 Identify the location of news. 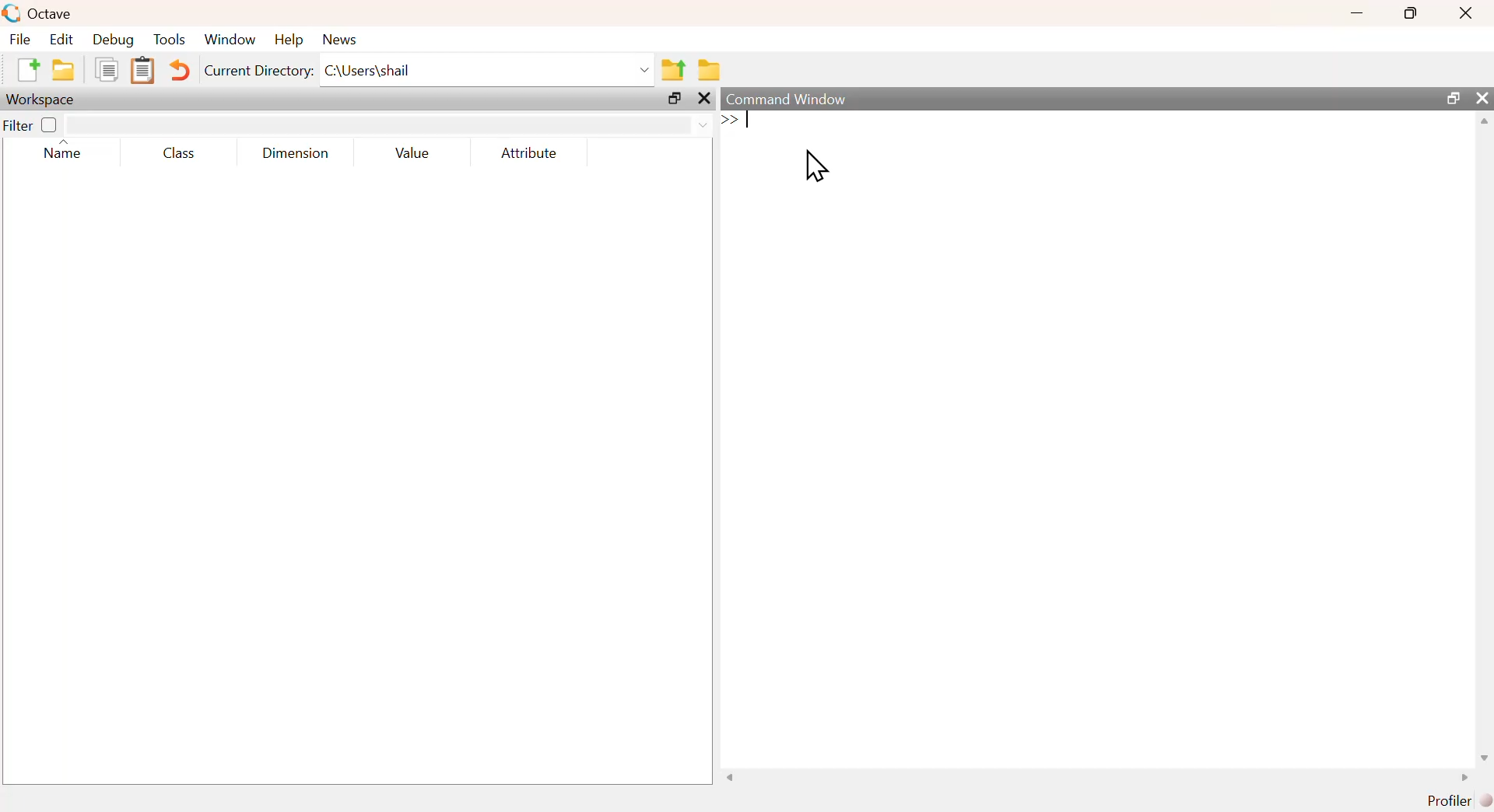
(342, 38).